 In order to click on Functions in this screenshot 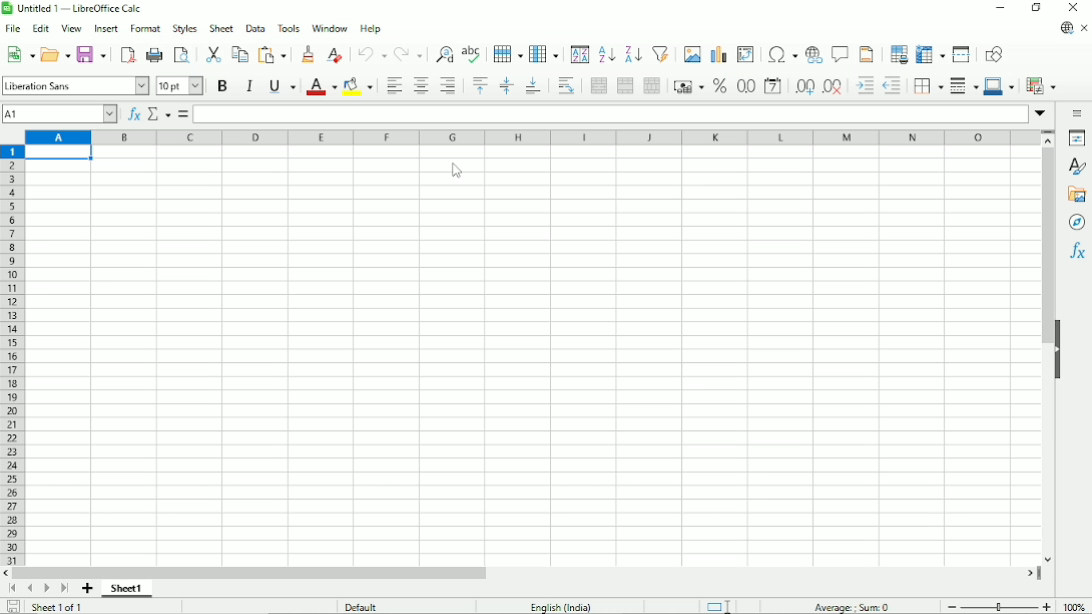, I will do `click(1076, 254)`.